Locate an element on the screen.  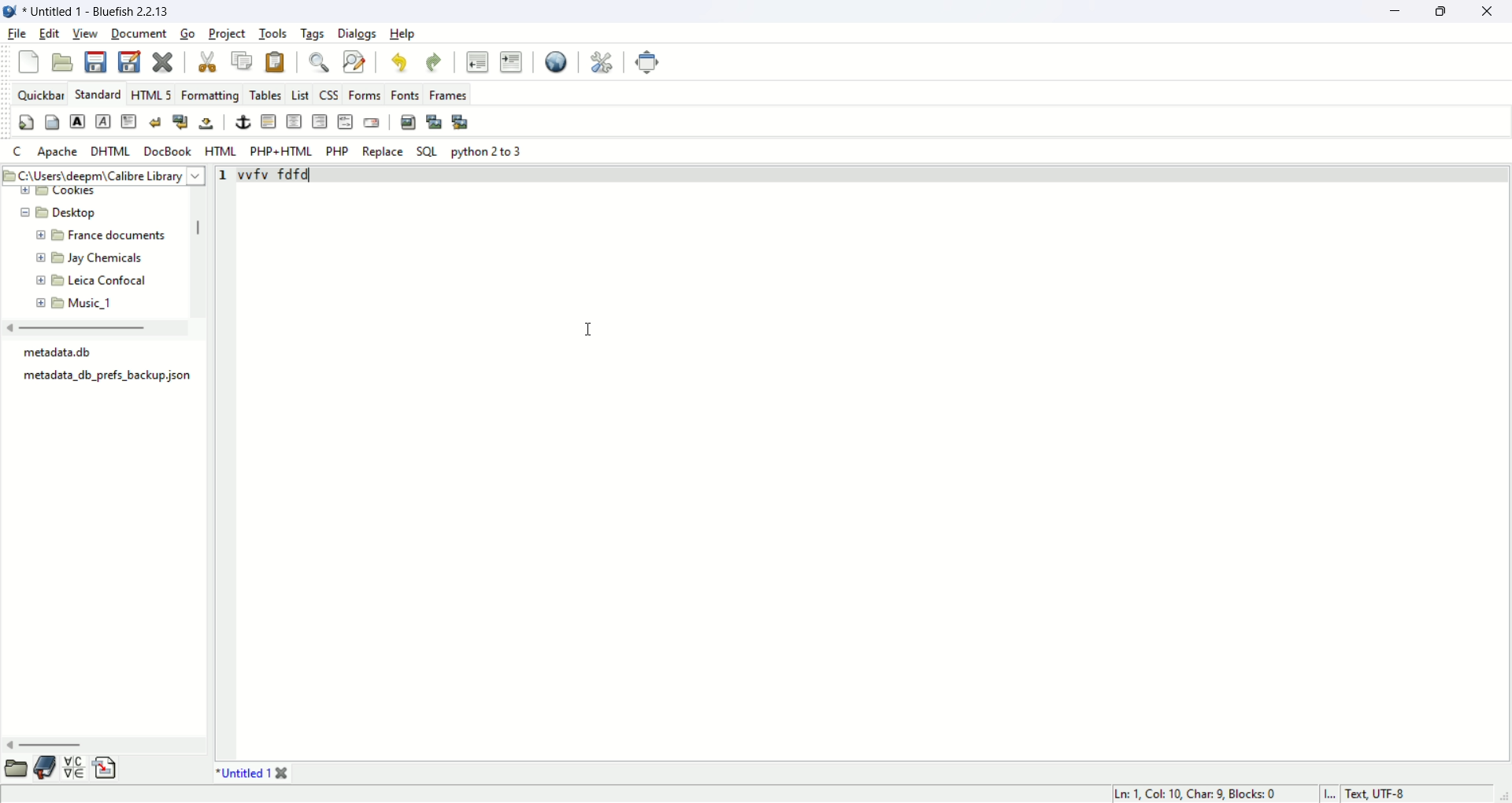
emphasis is located at coordinates (104, 121).